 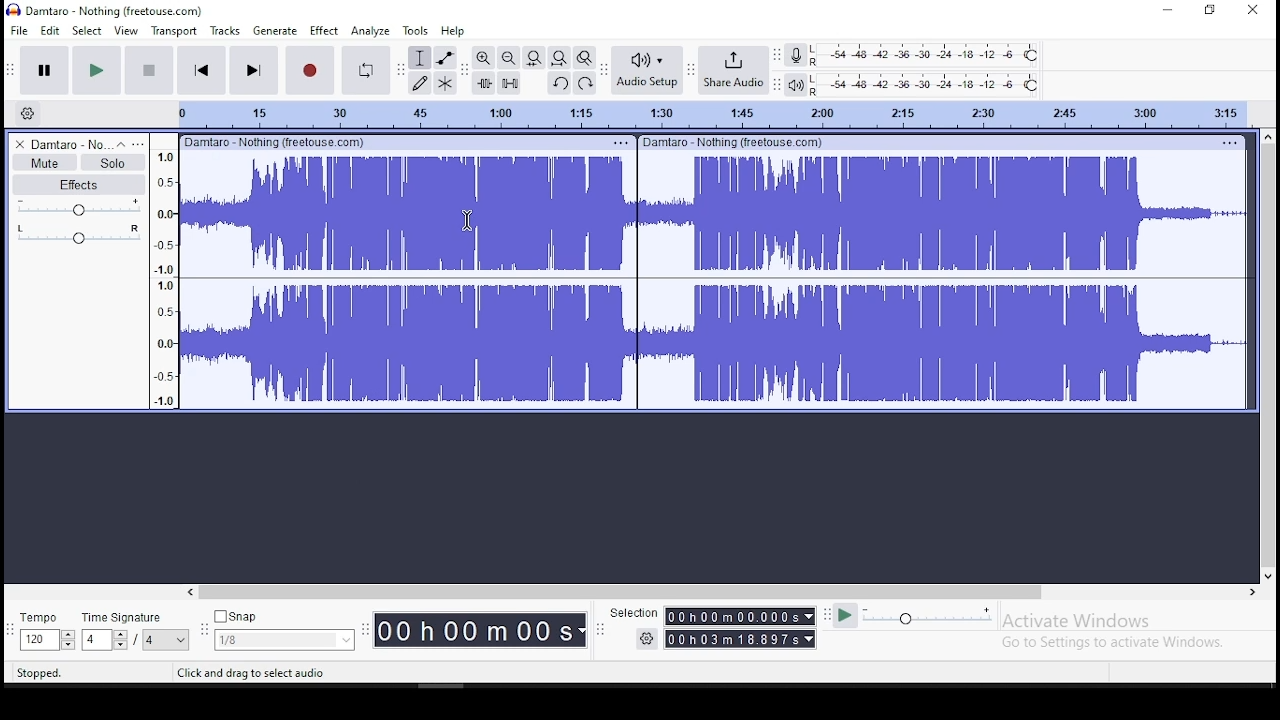 What do you see at coordinates (453, 30) in the screenshot?
I see `help` at bounding box center [453, 30].